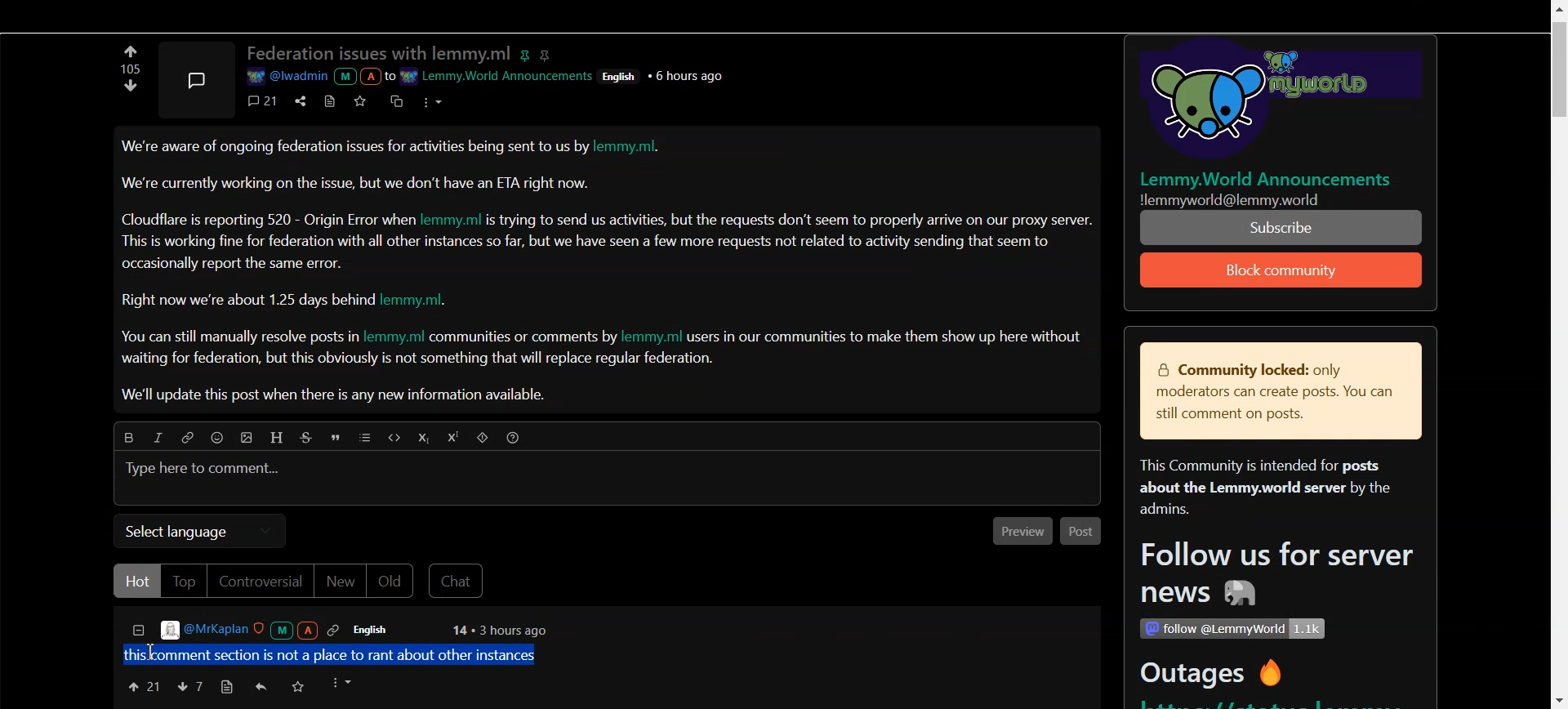  Describe the element at coordinates (340, 582) in the screenshot. I see `New` at that location.